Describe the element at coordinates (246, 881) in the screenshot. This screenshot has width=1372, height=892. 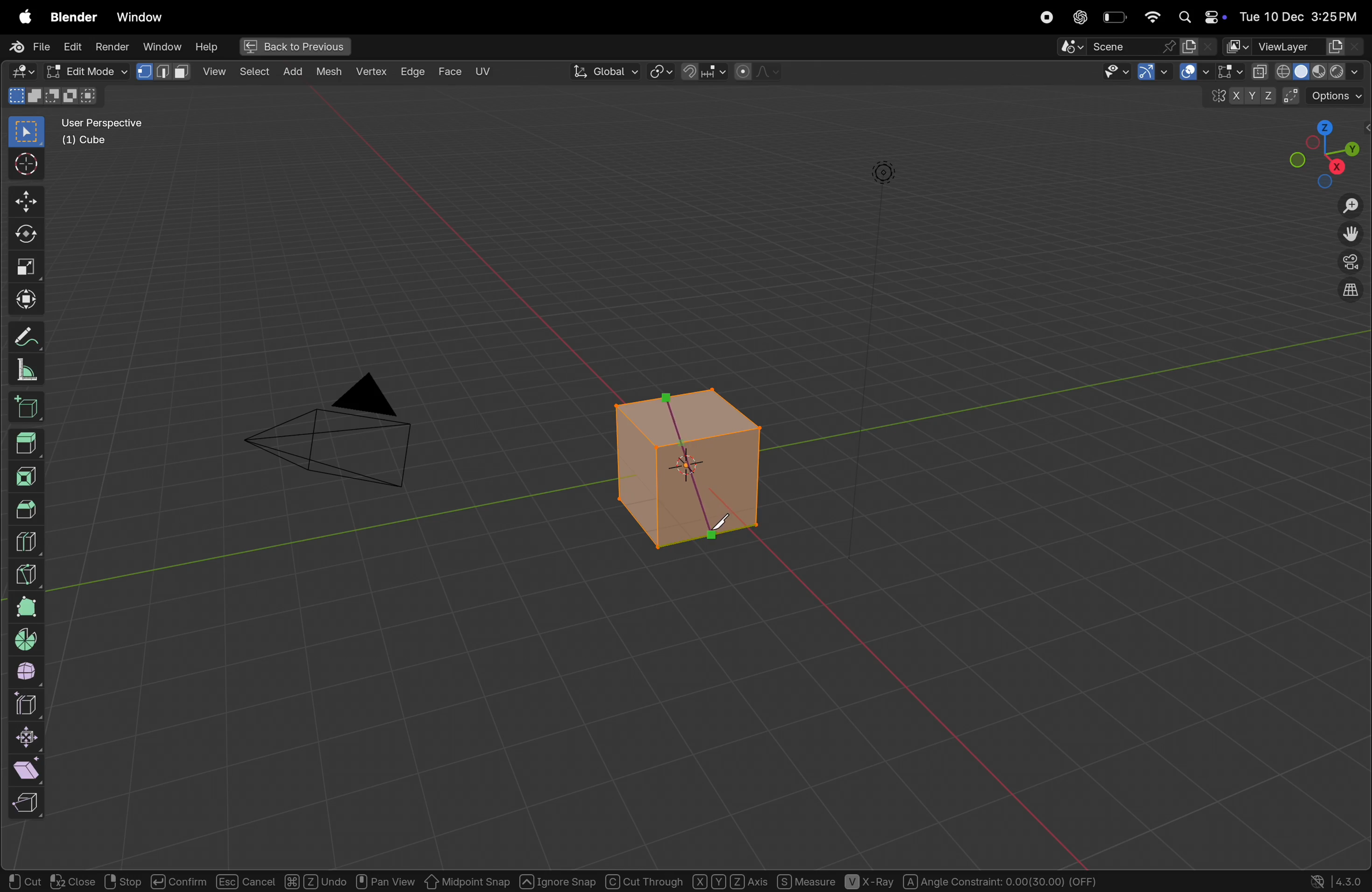
I see `Cancel` at that location.